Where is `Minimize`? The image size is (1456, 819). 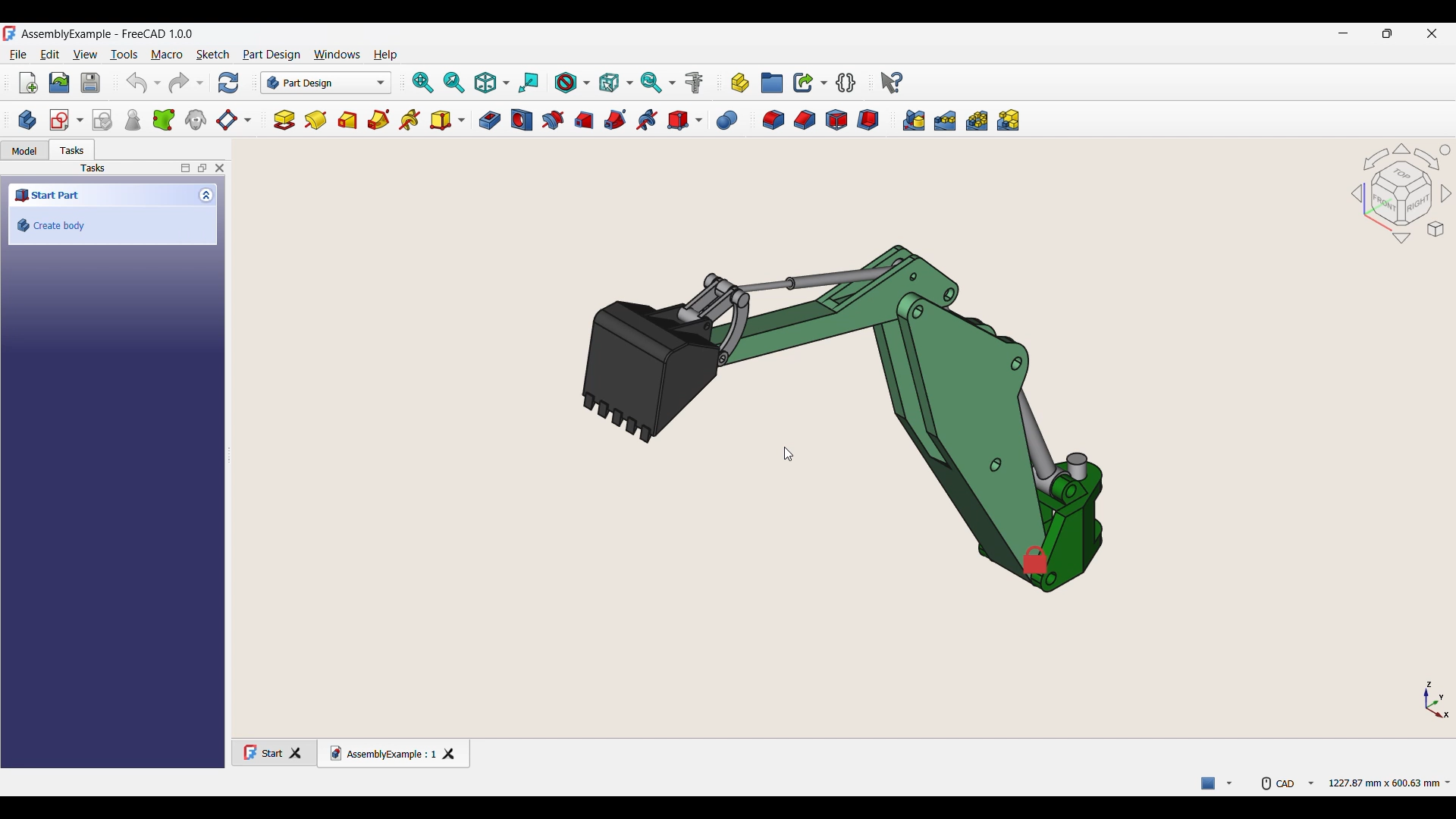
Minimize is located at coordinates (1343, 33).